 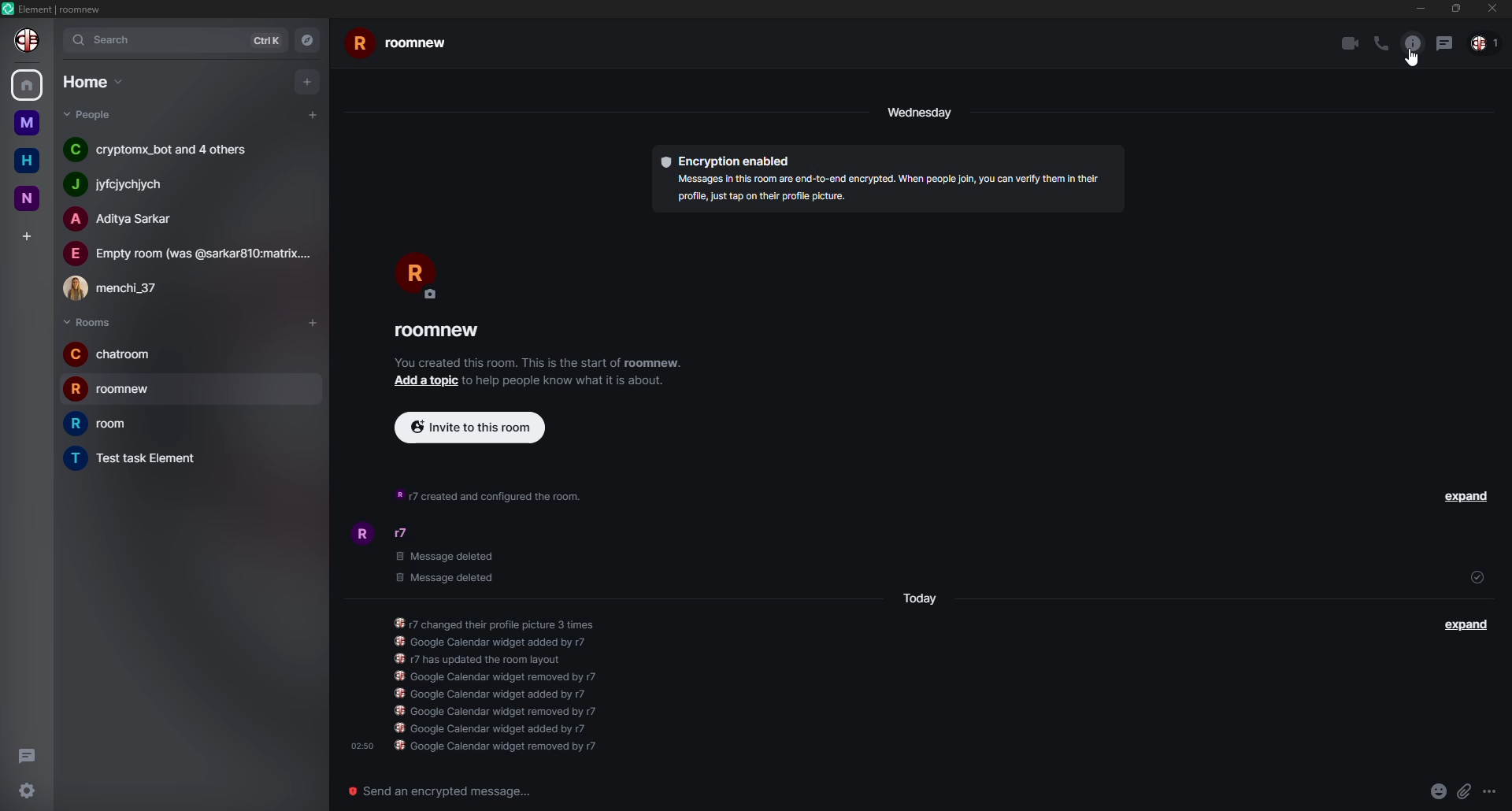 What do you see at coordinates (1466, 497) in the screenshot?
I see `expand` at bounding box center [1466, 497].